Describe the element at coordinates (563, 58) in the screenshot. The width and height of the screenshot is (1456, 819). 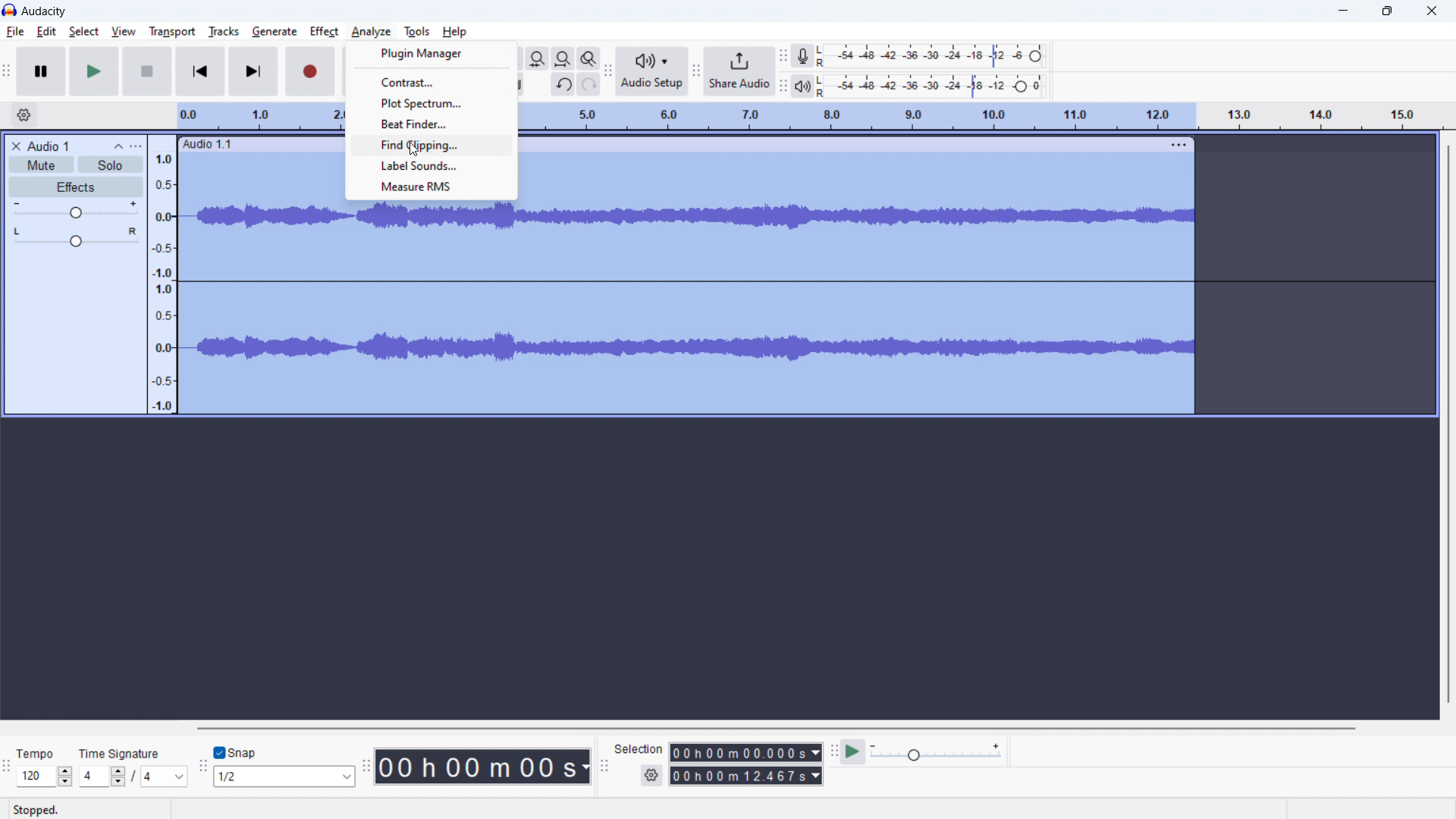
I see `fit project to width` at that location.